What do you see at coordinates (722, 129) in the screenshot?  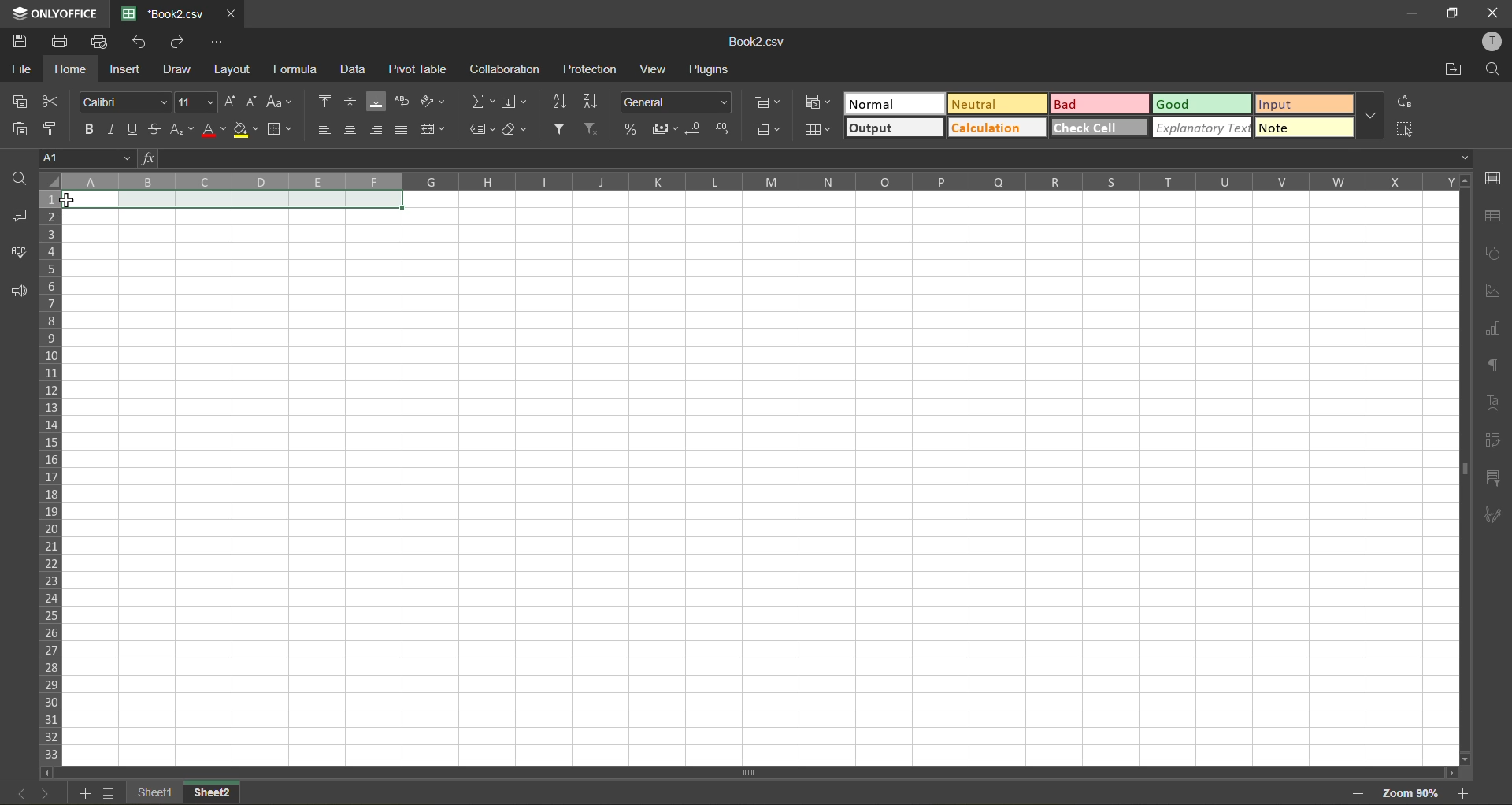 I see `increase decimal` at bounding box center [722, 129].